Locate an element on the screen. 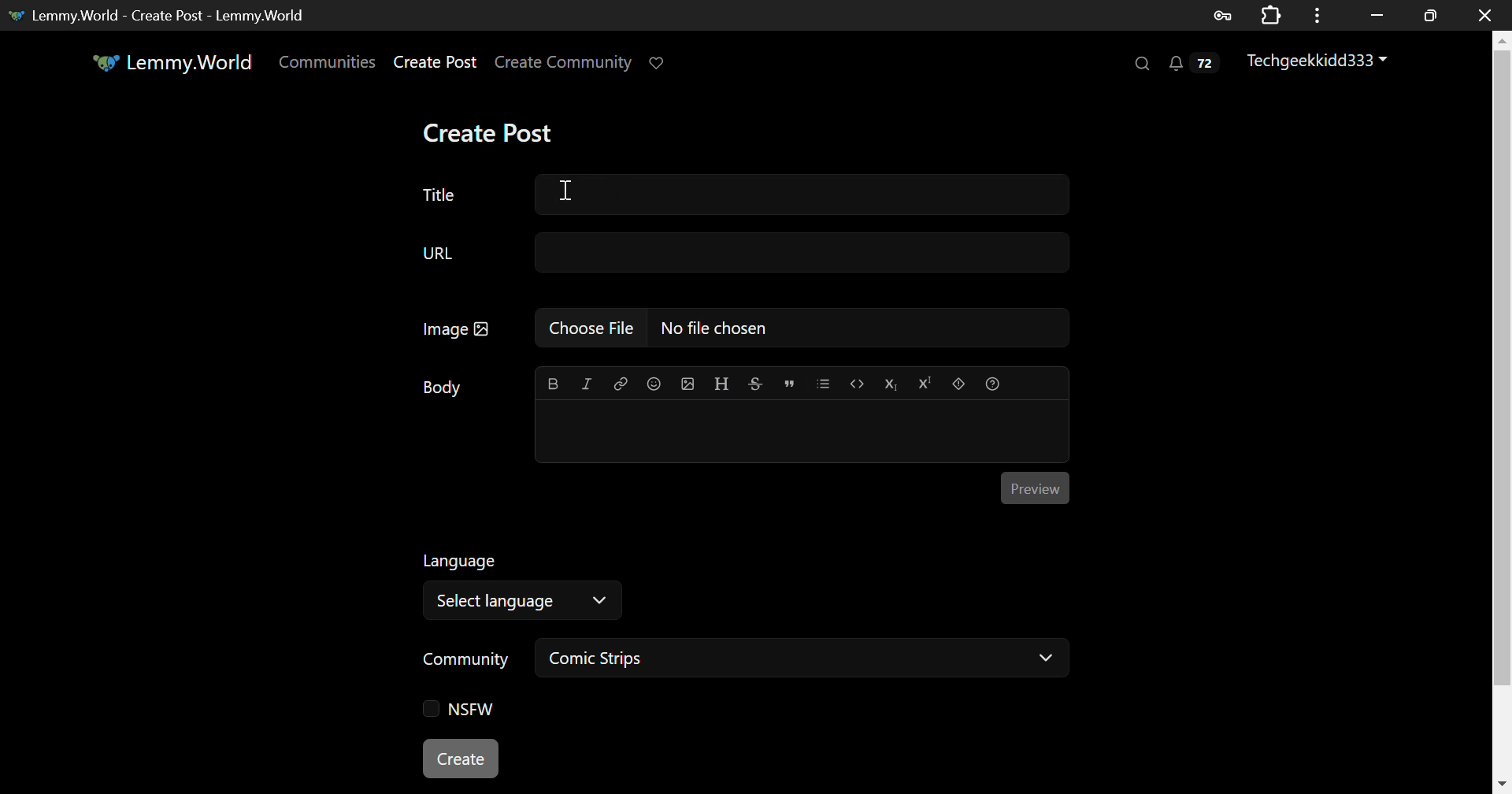 This screenshot has height=794, width=1512. Restore Down is located at coordinates (1378, 13).